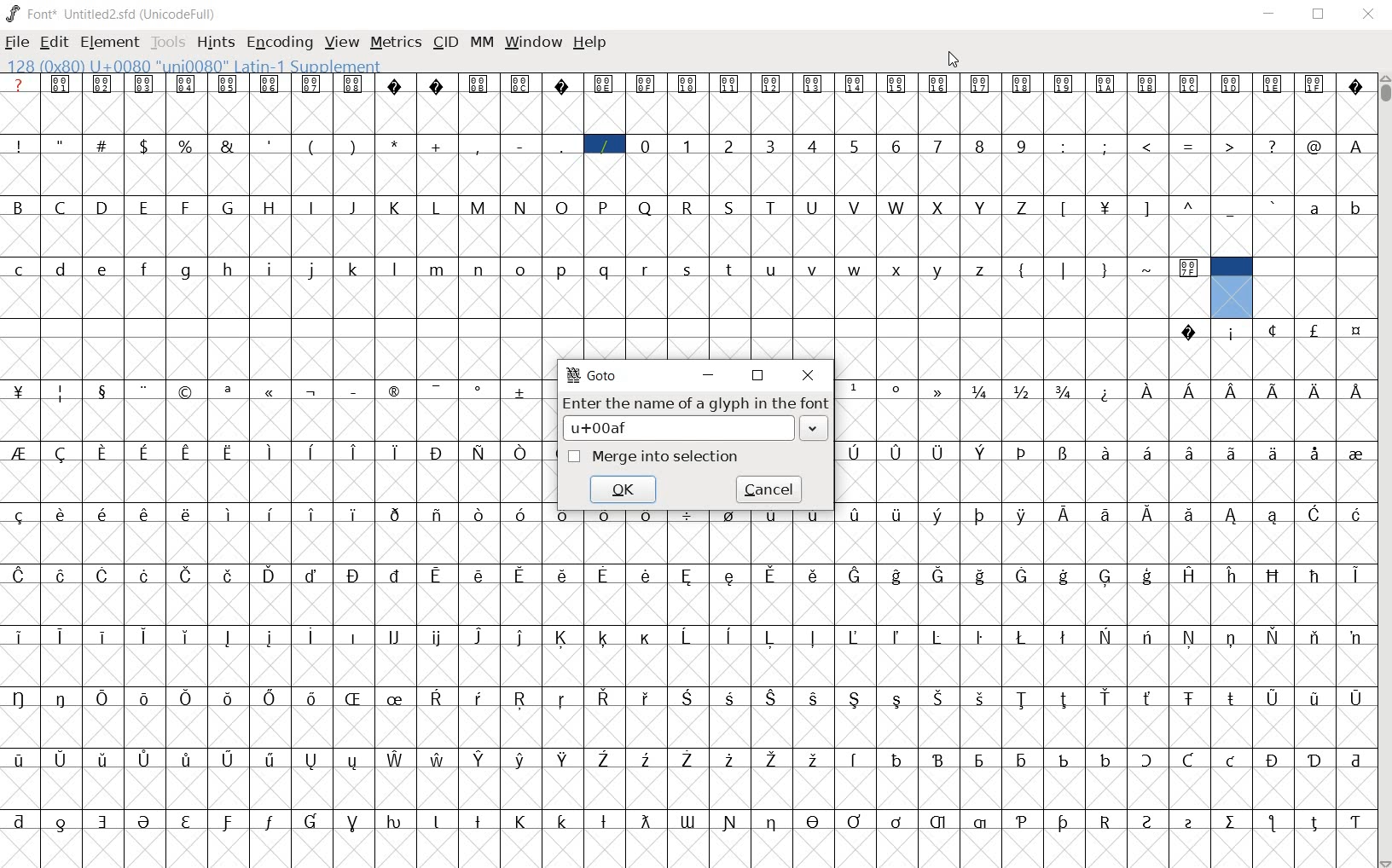  What do you see at coordinates (605, 512) in the screenshot?
I see `Symbol` at bounding box center [605, 512].